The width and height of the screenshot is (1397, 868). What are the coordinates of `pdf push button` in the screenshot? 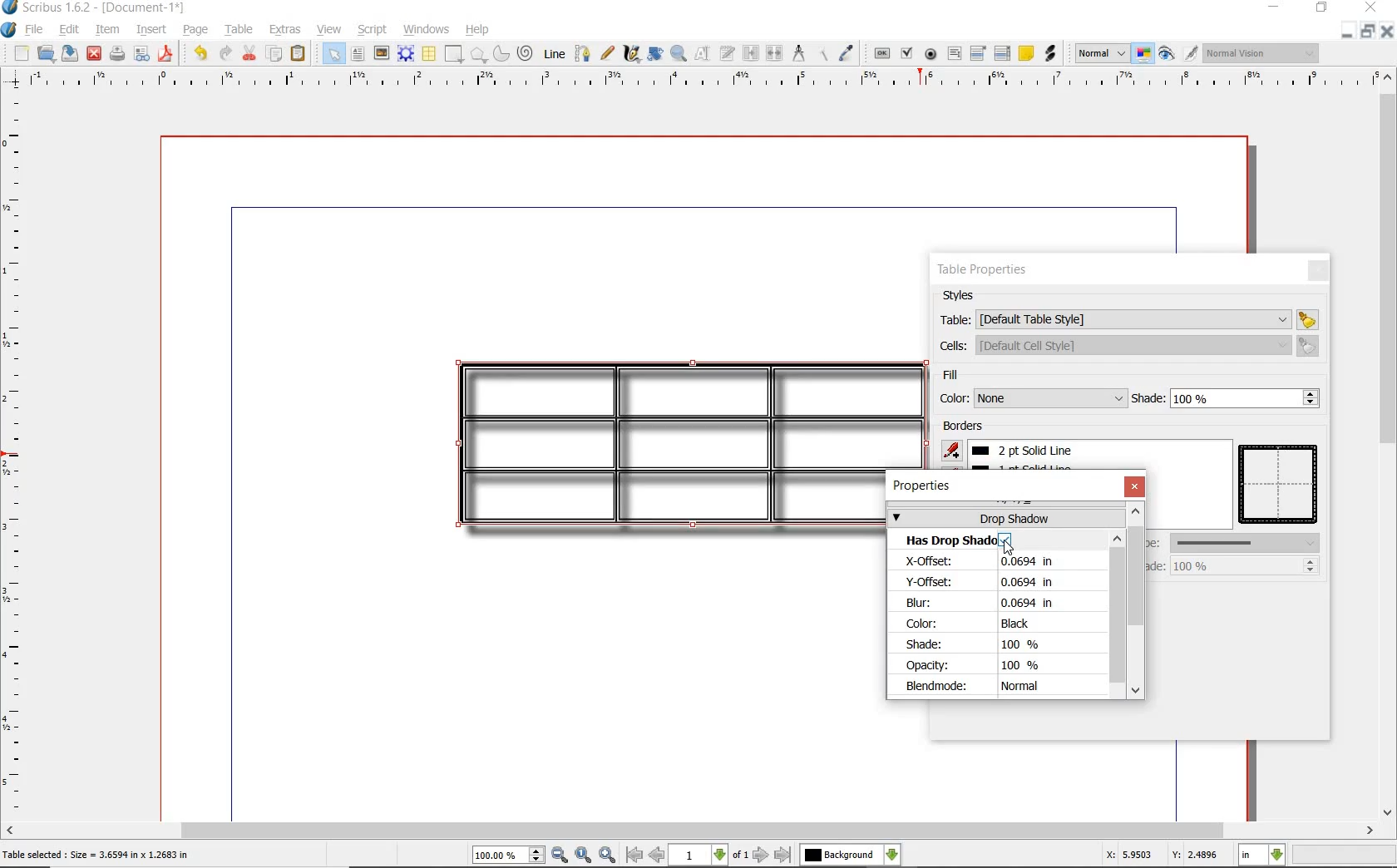 It's located at (882, 54).